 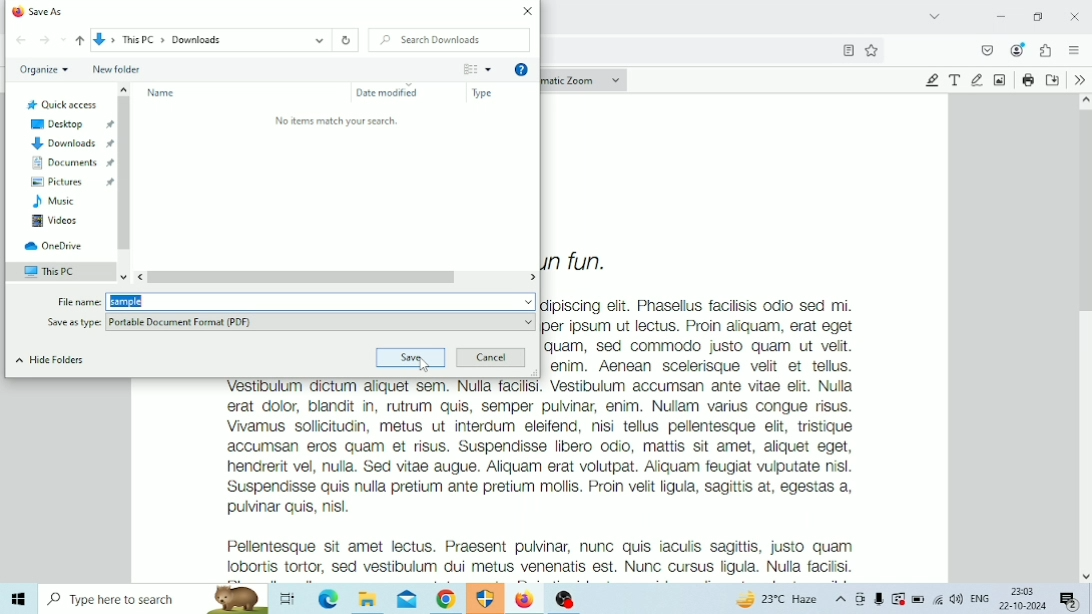 I want to click on Search Downloads, so click(x=450, y=40).